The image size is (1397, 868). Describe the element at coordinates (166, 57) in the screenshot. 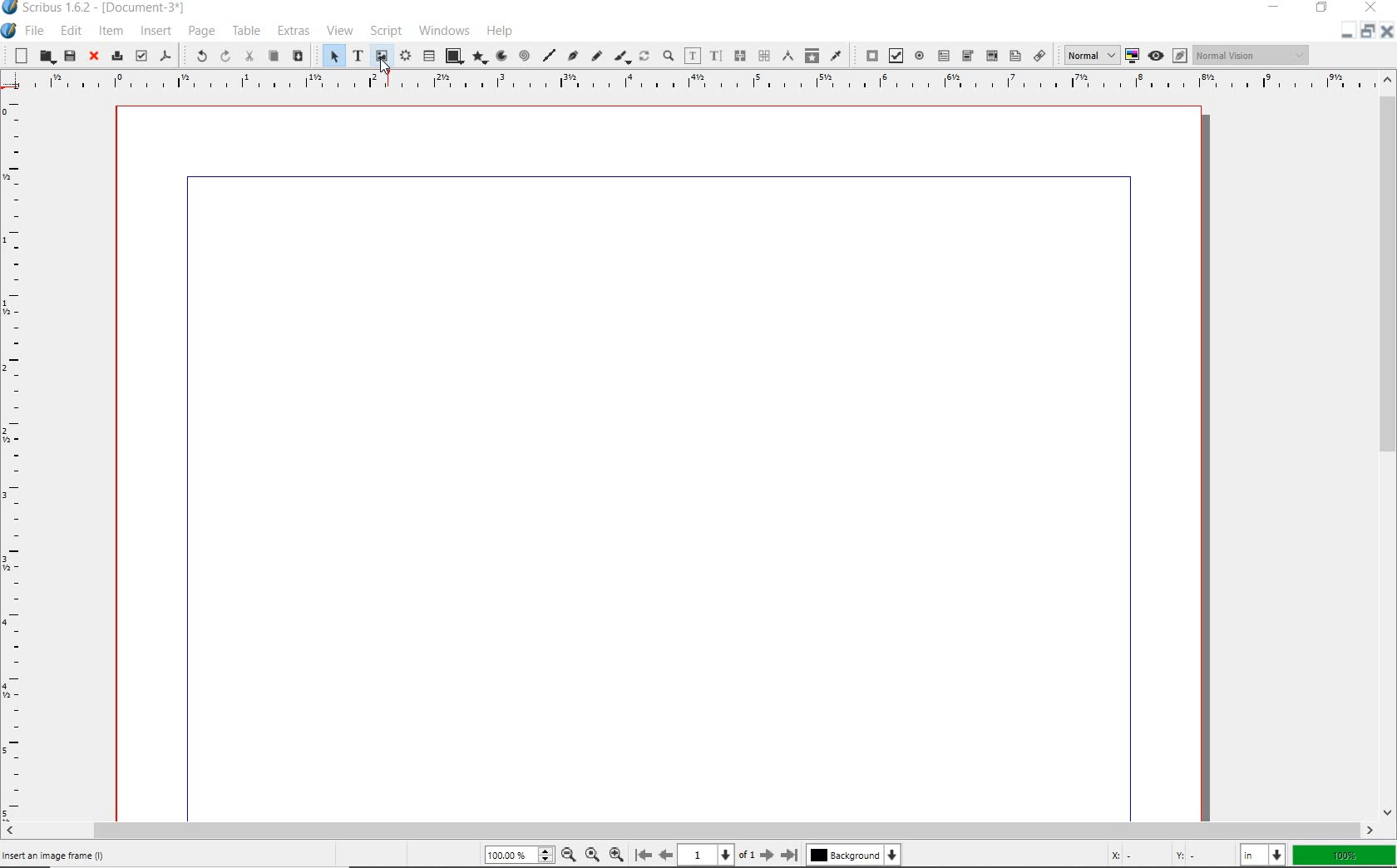

I see `save as pdf` at that location.